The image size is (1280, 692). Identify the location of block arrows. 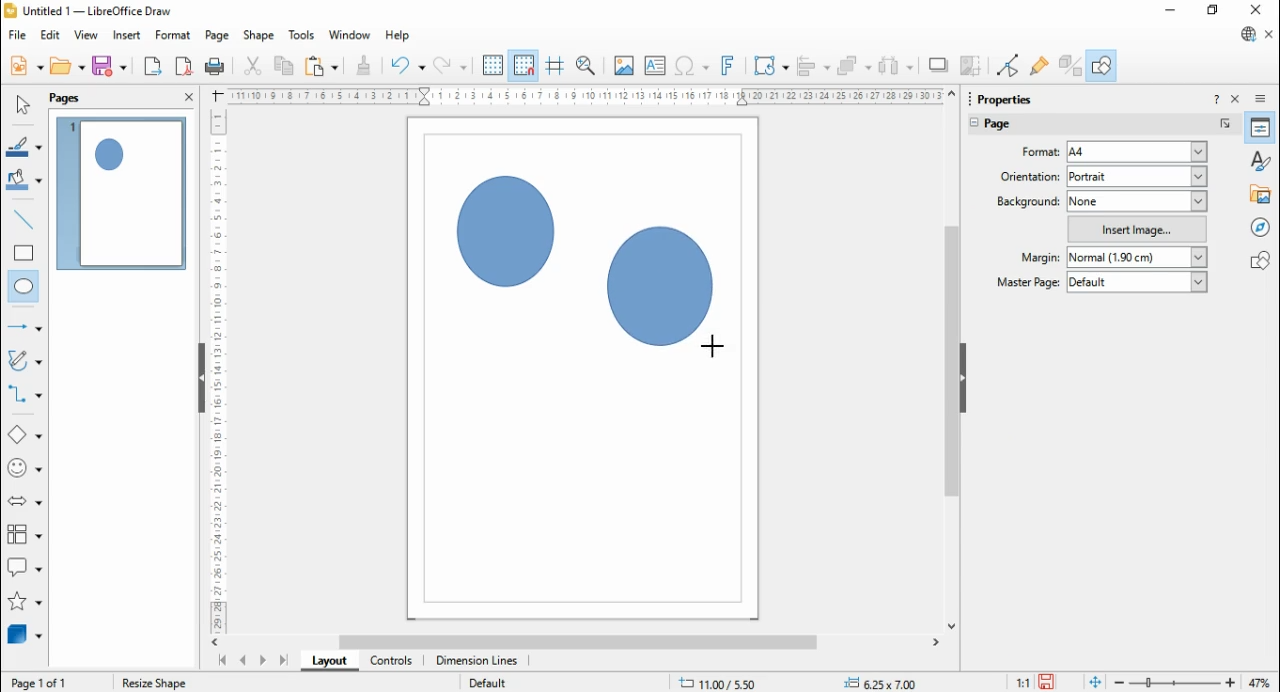
(27, 503).